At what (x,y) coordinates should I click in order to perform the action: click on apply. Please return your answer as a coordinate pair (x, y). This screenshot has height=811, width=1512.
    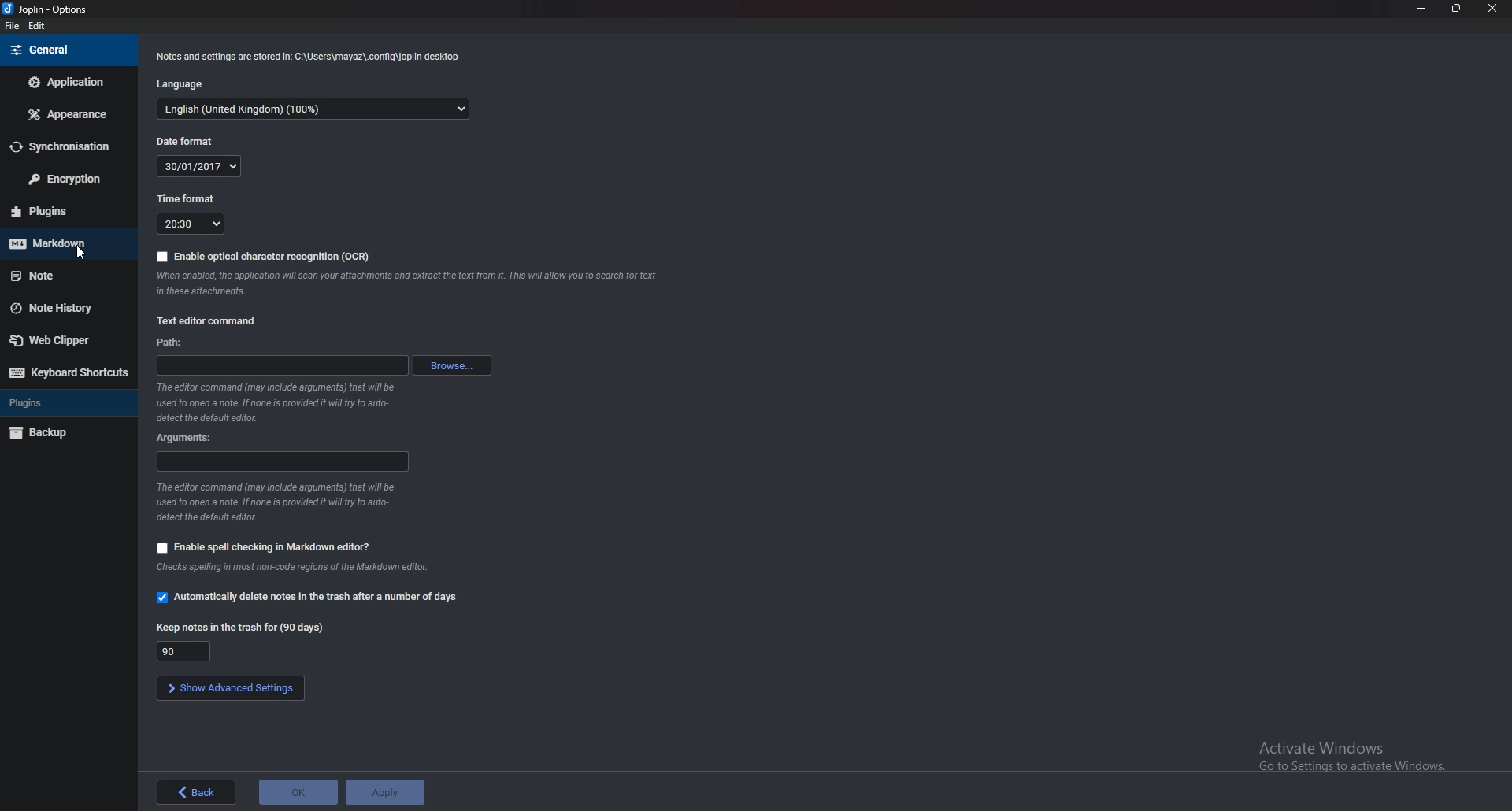
    Looking at the image, I should click on (388, 791).